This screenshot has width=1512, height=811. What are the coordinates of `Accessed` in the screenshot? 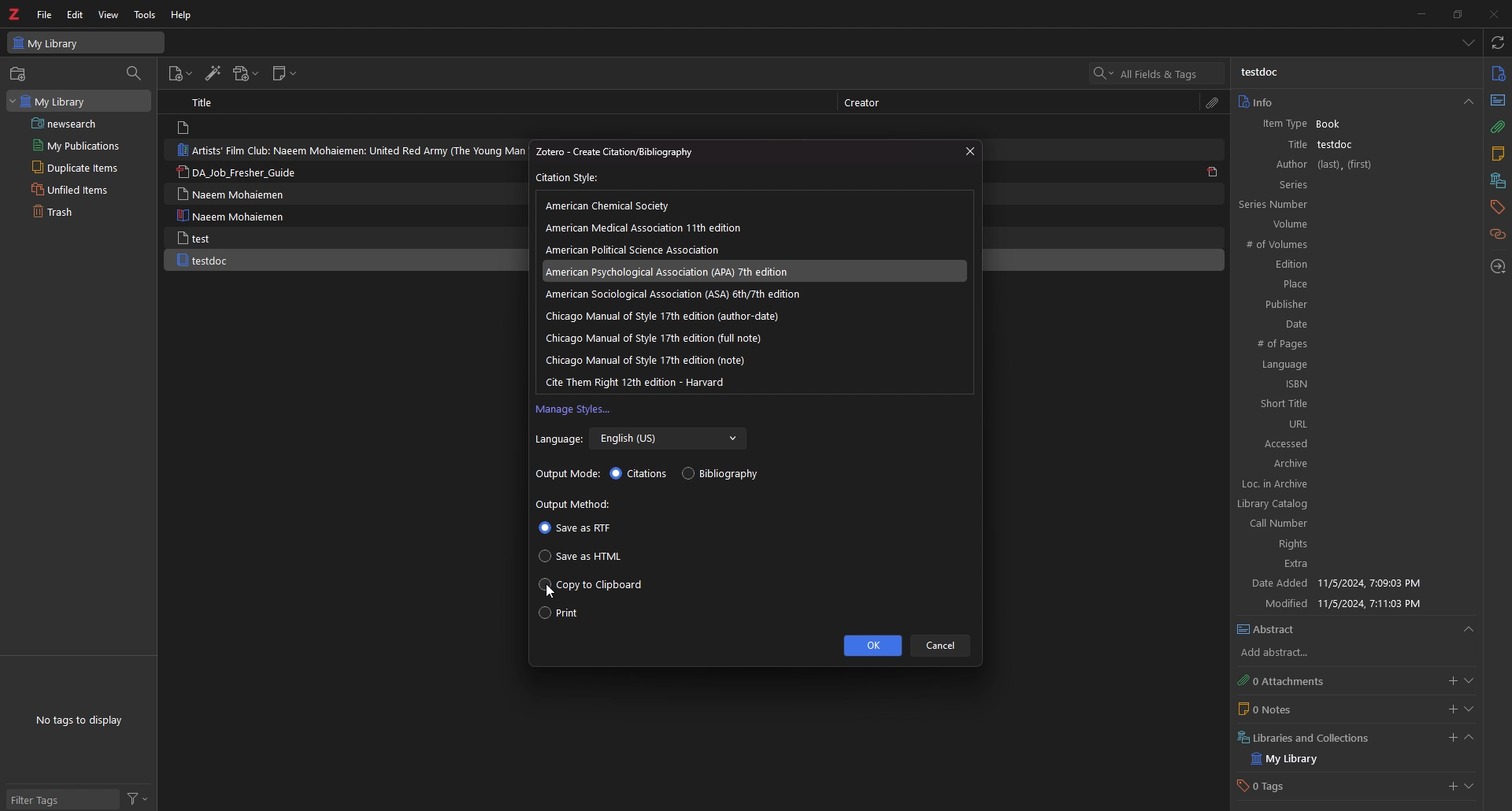 It's located at (1353, 443).